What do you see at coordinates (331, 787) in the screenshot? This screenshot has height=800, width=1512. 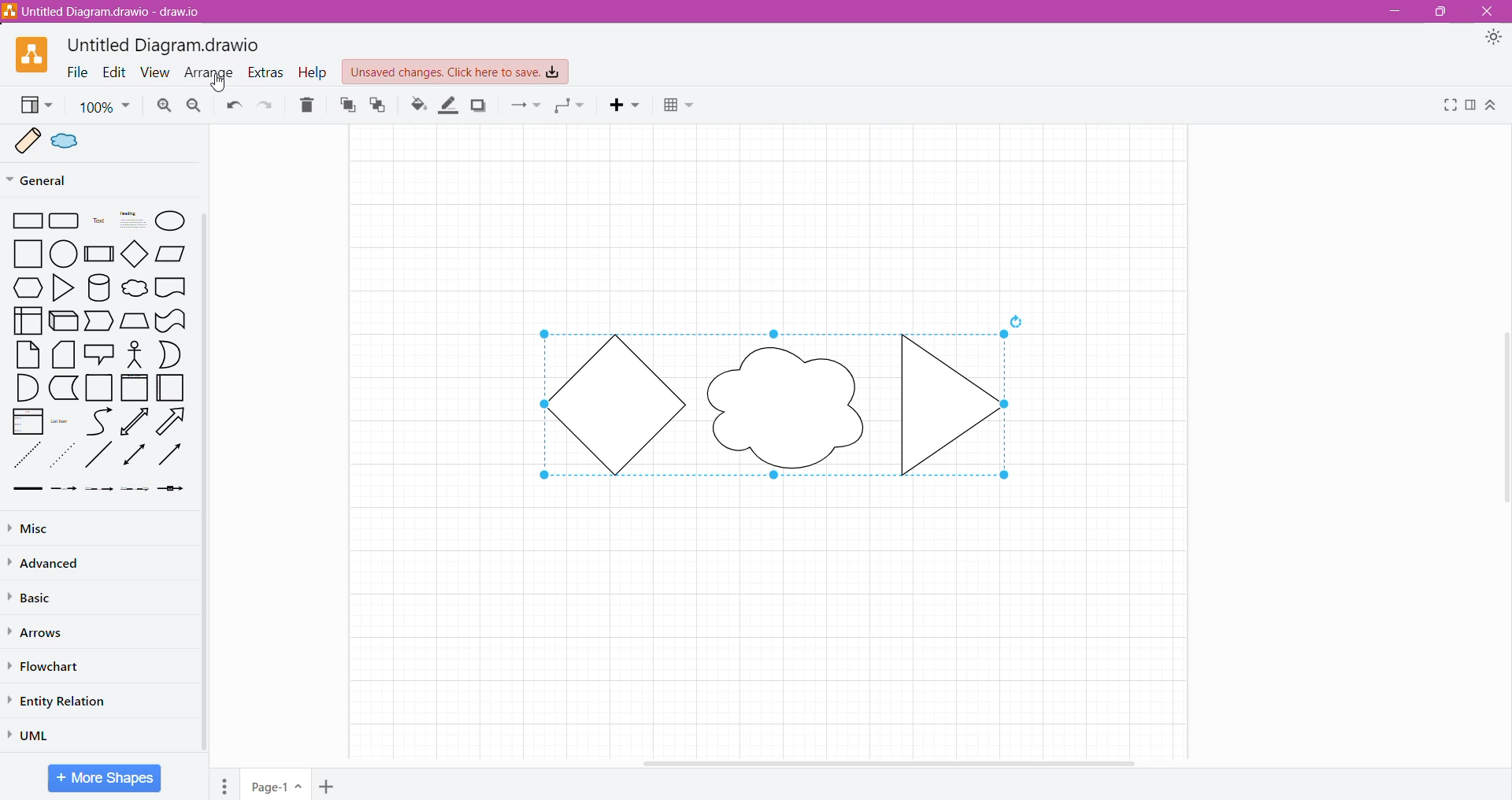 I see `Add Page` at bounding box center [331, 787].